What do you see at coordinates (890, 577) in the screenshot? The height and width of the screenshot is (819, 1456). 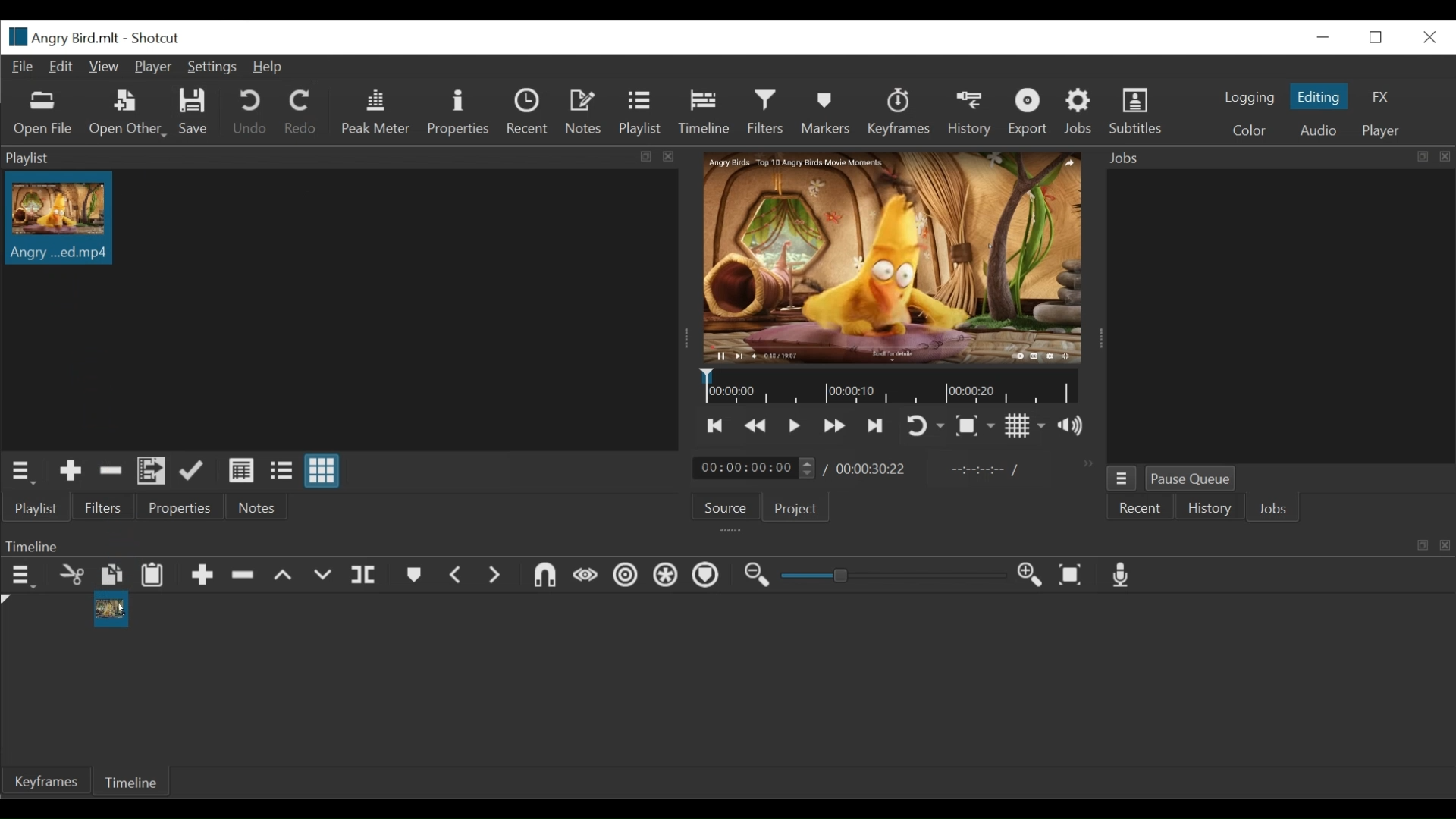 I see `zoom slider` at bounding box center [890, 577].